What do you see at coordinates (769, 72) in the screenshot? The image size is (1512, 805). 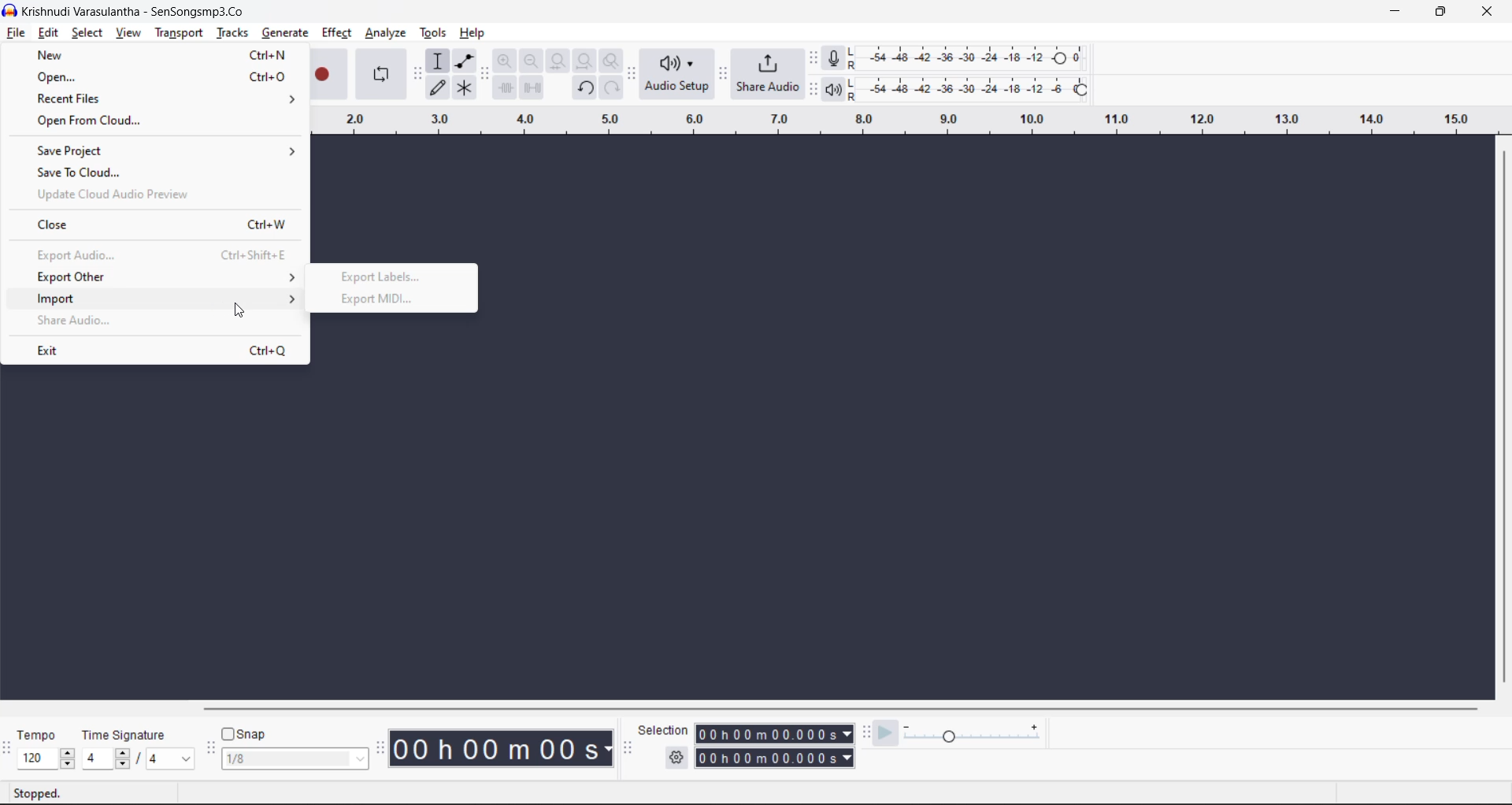 I see `share audio` at bounding box center [769, 72].